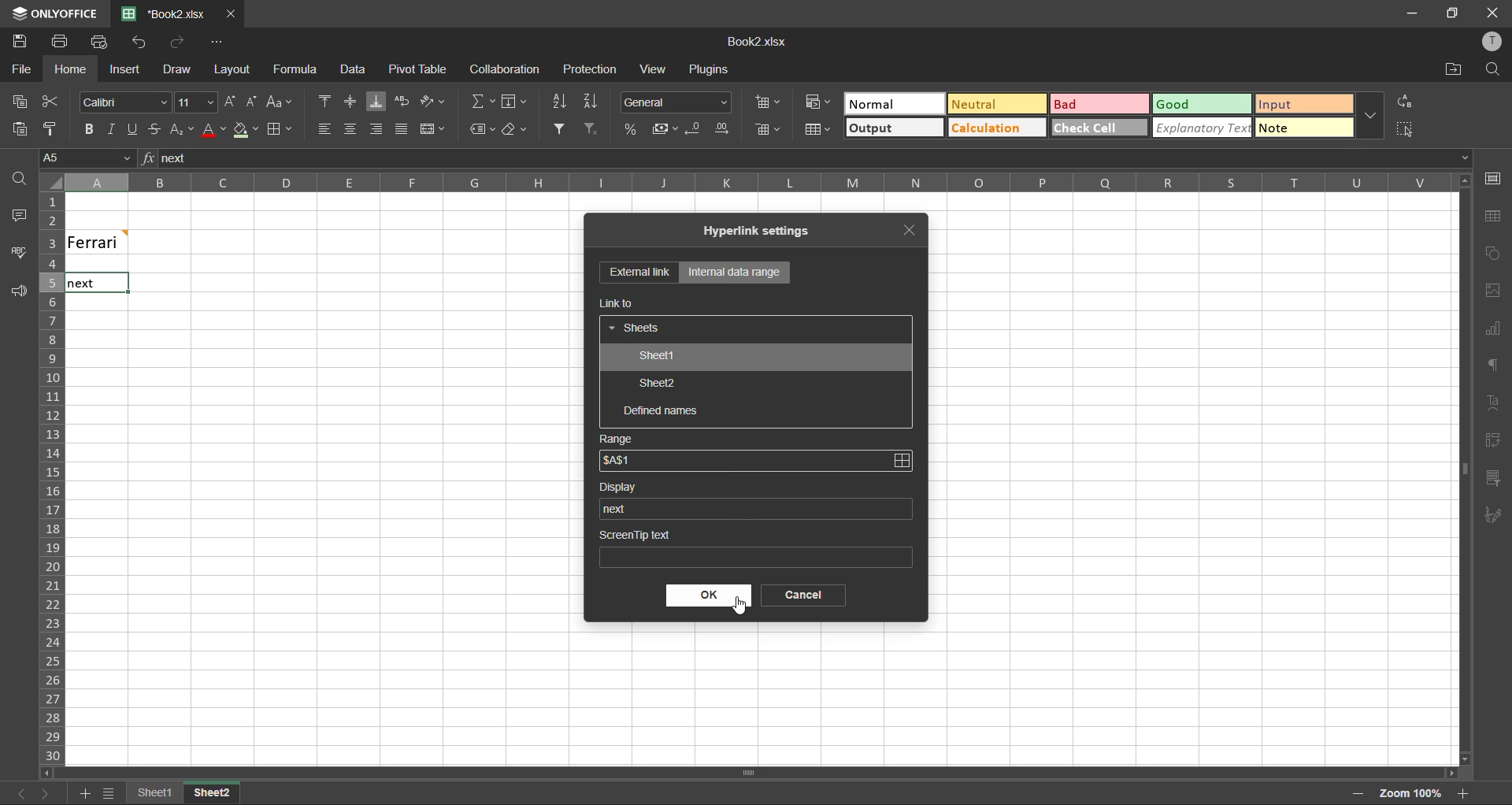 This screenshot has width=1512, height=805. Describe the element at coordinates (351, 127) in the screenshot. I see `align center` at that location.